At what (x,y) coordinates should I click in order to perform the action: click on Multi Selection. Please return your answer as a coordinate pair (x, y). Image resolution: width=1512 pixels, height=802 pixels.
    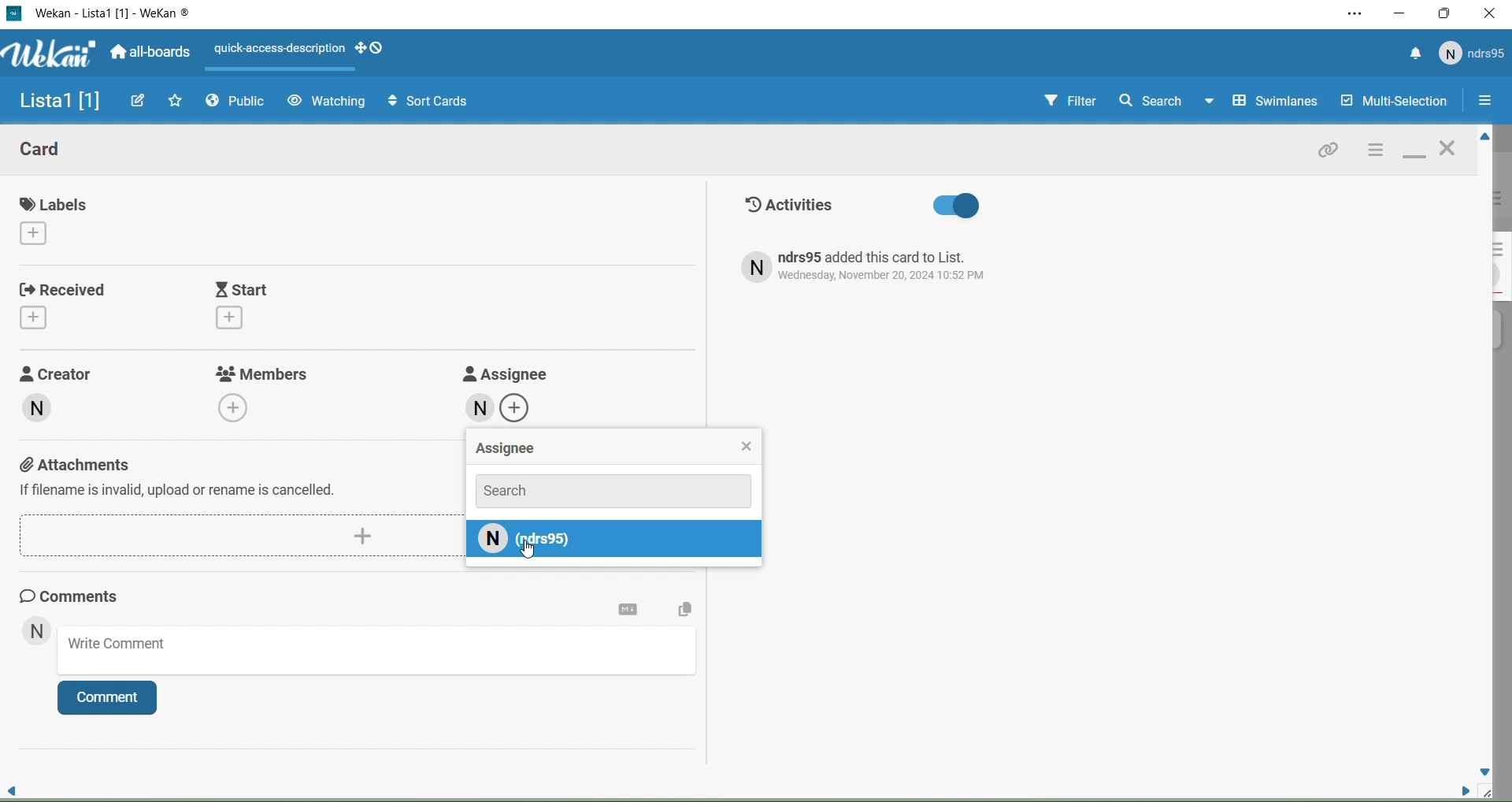
    Looking at the image, I should click on (1392, 102).